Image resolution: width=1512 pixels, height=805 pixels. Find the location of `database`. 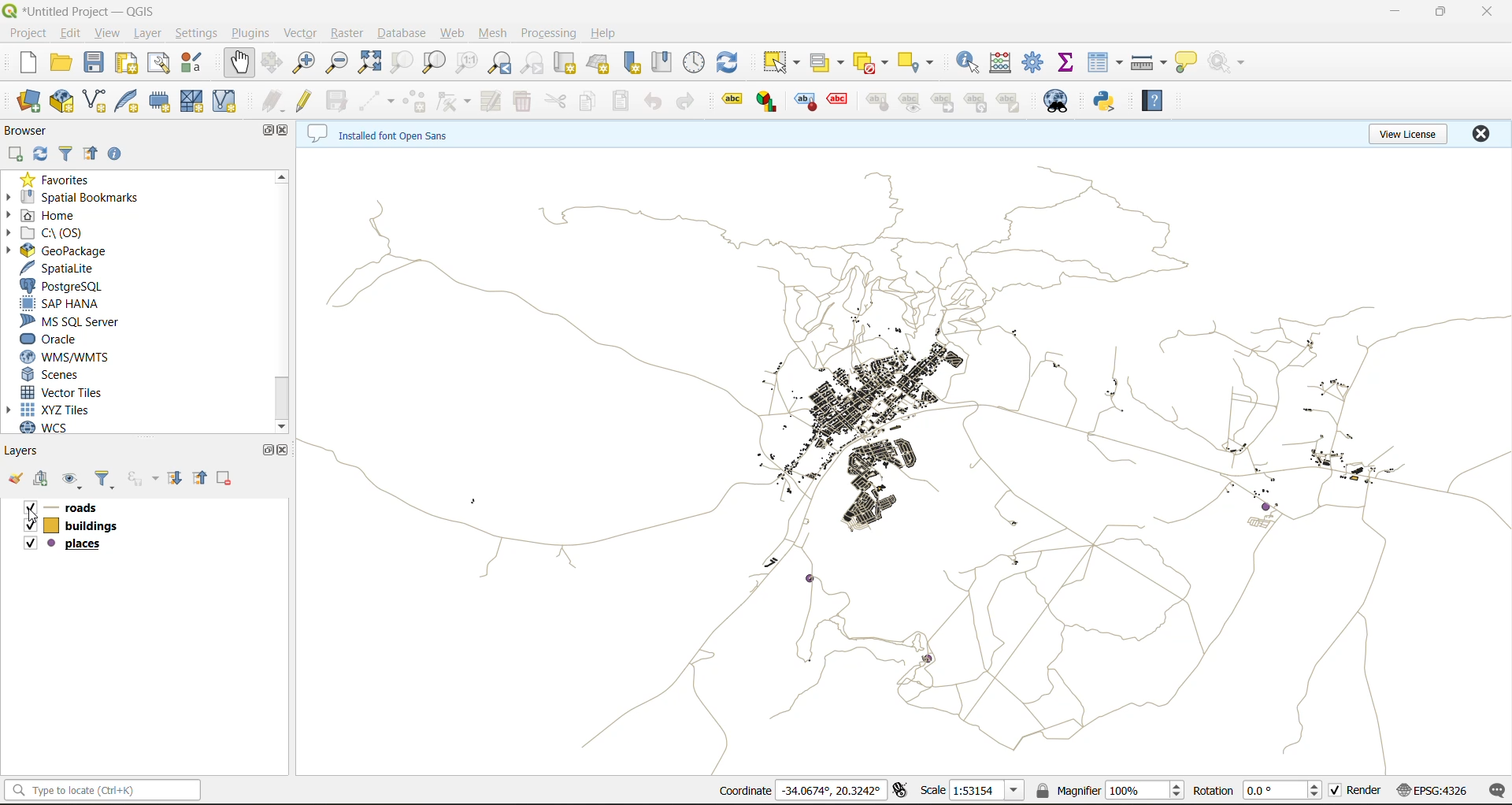

database is located at coordinates (401, 34).